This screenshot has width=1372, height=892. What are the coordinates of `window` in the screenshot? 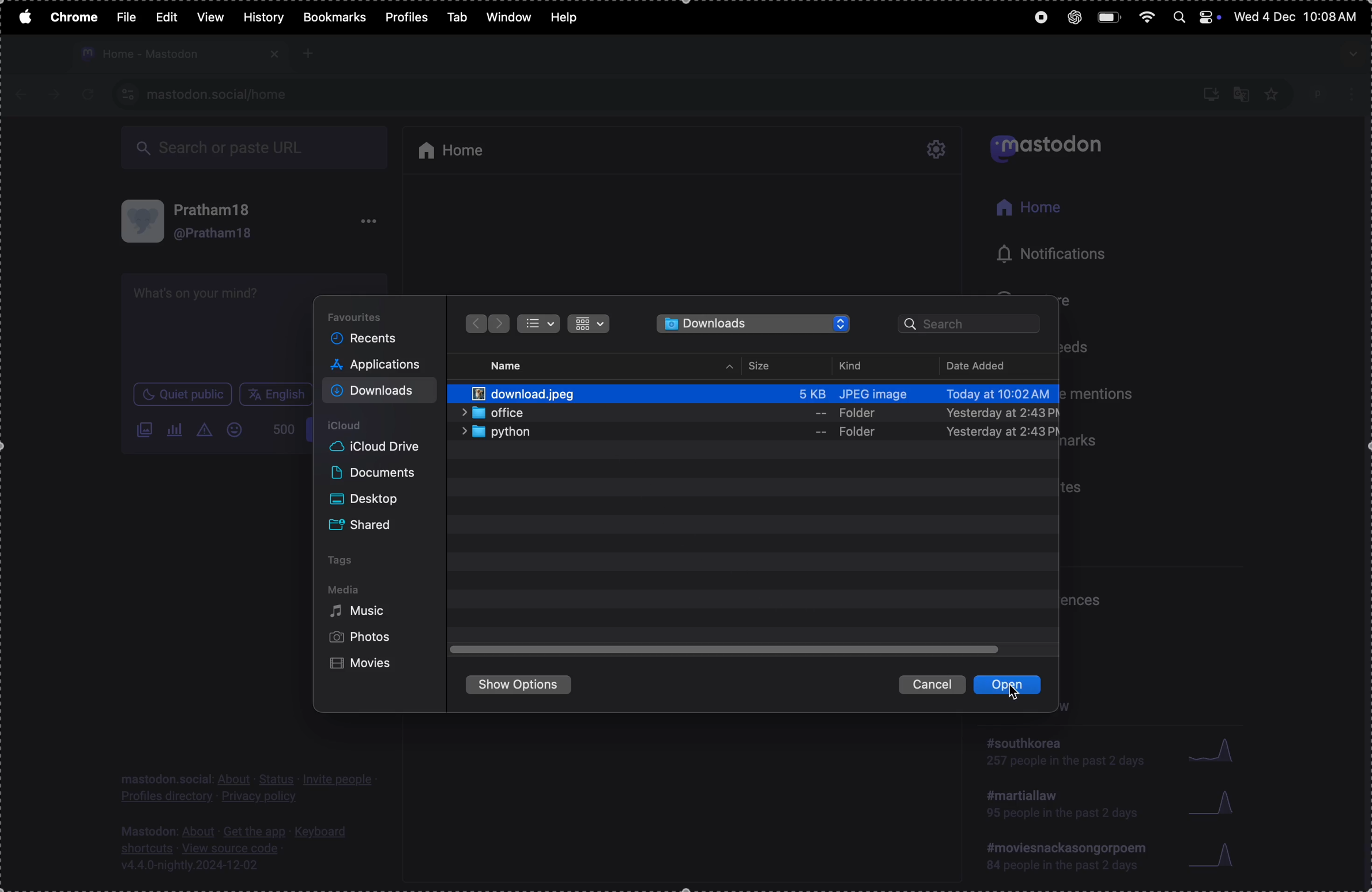 It's located at (509, 17).